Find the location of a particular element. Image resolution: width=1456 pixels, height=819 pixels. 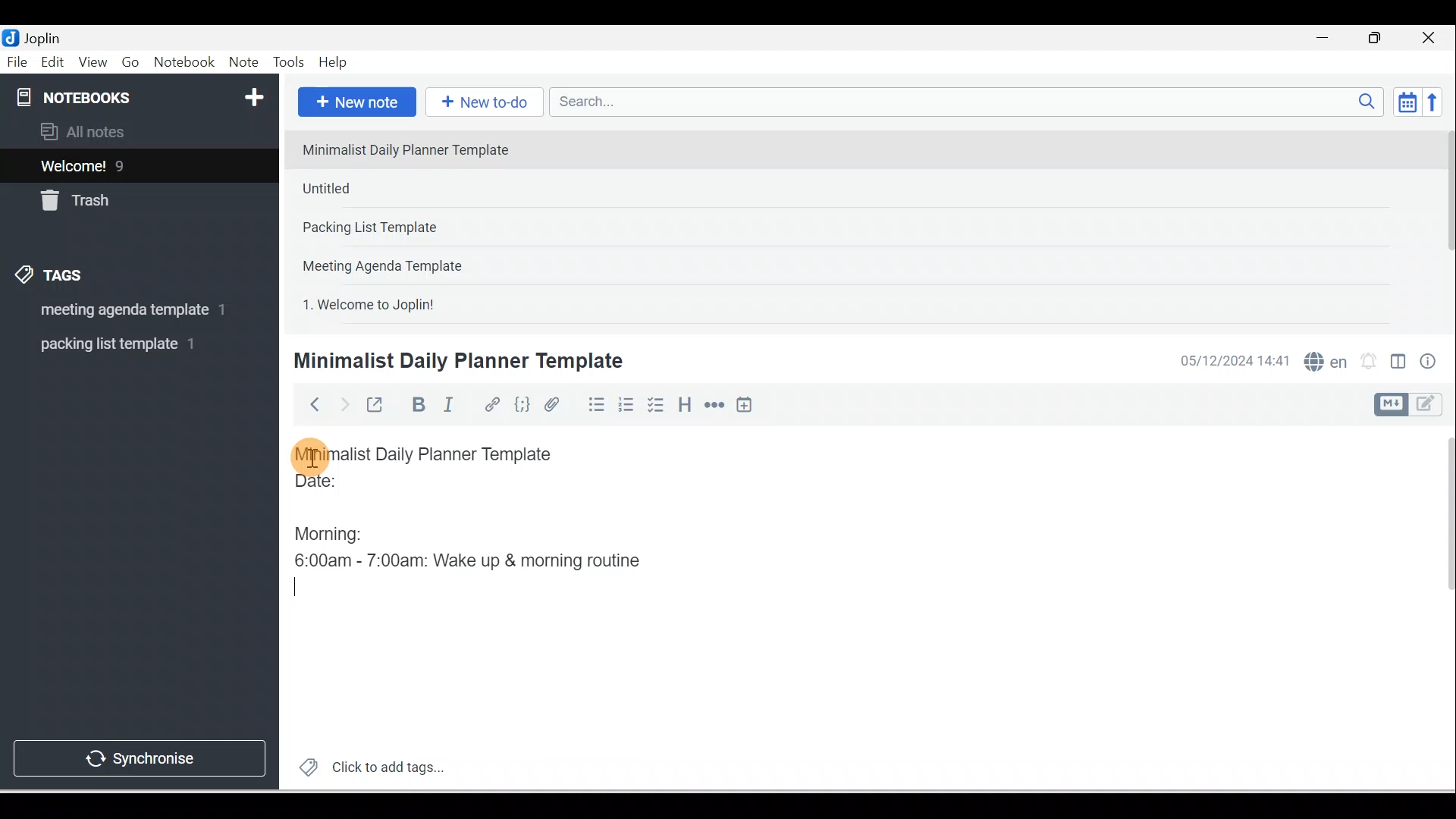

Note 1 is located at coordinates (416, 149).